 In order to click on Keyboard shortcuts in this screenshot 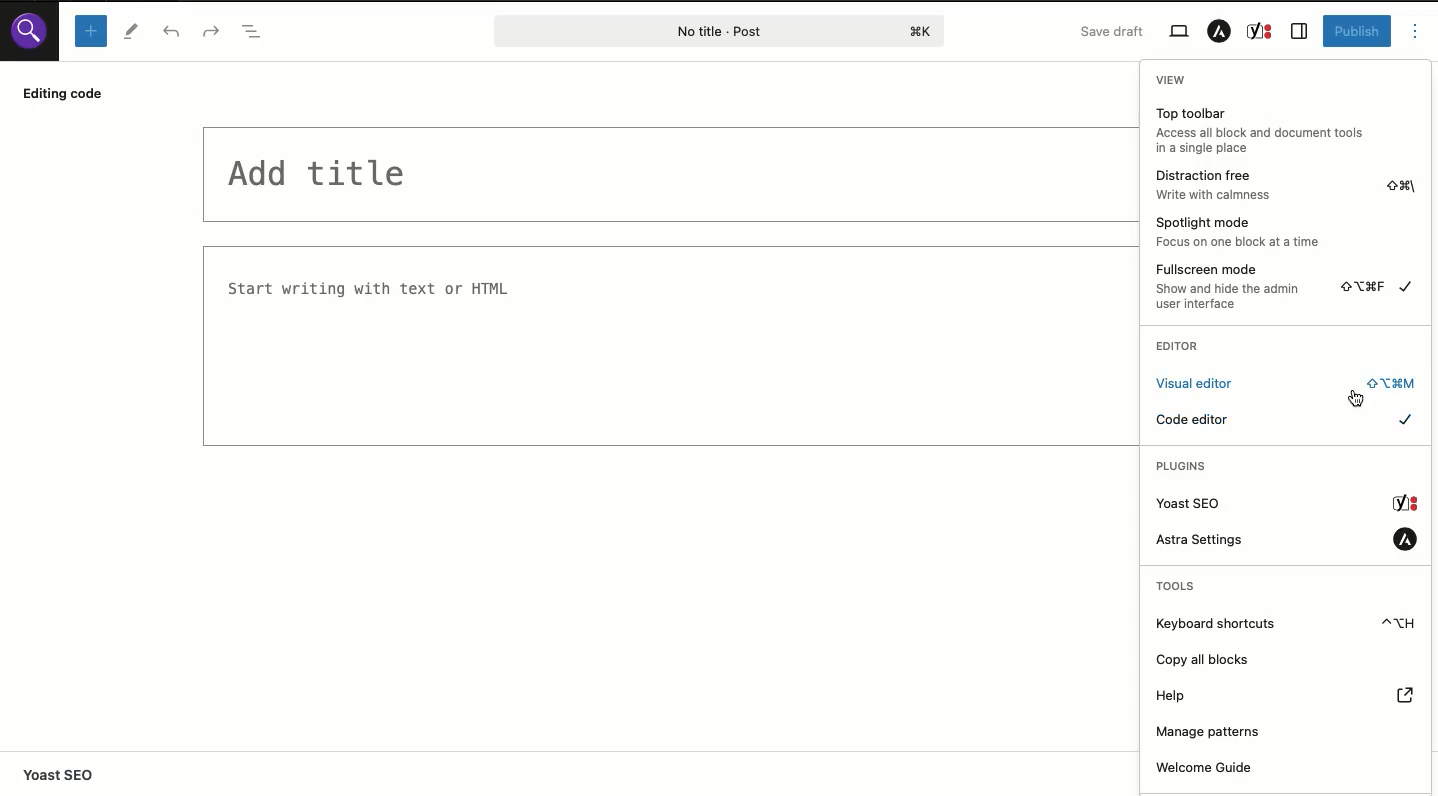, I will do `click(1287, 624)`.